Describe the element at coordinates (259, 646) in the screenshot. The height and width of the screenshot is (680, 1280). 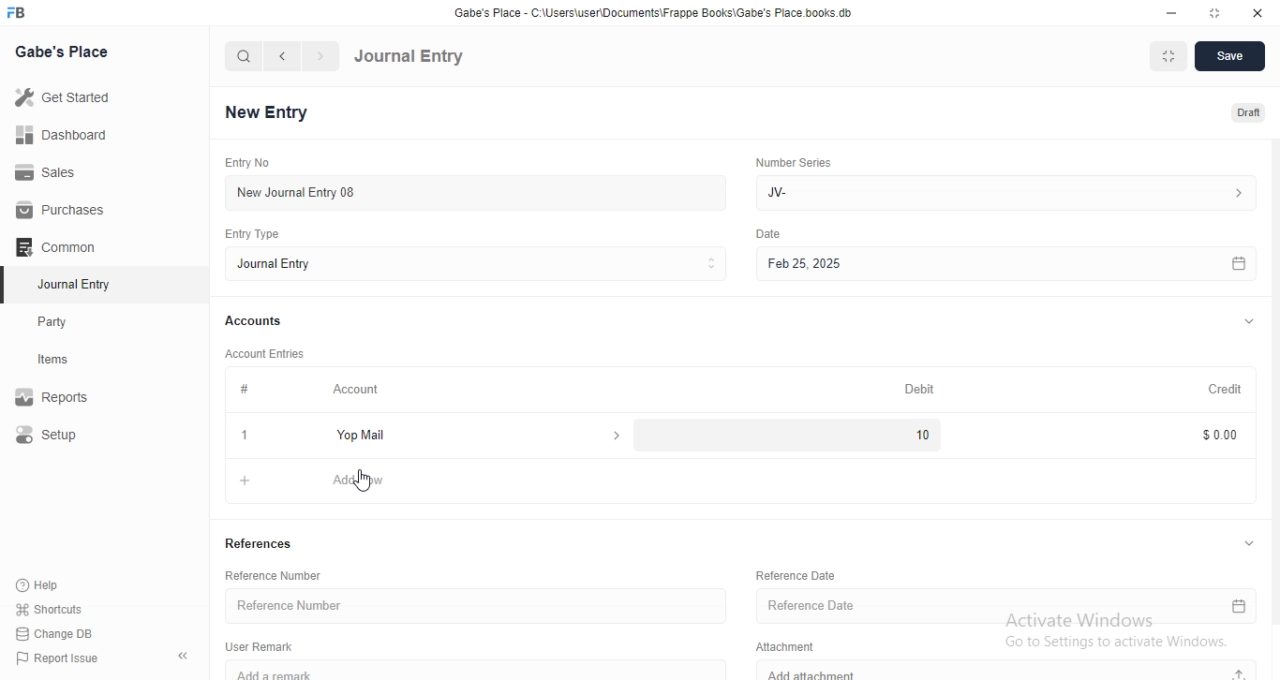
I see `User Remark` at that location.